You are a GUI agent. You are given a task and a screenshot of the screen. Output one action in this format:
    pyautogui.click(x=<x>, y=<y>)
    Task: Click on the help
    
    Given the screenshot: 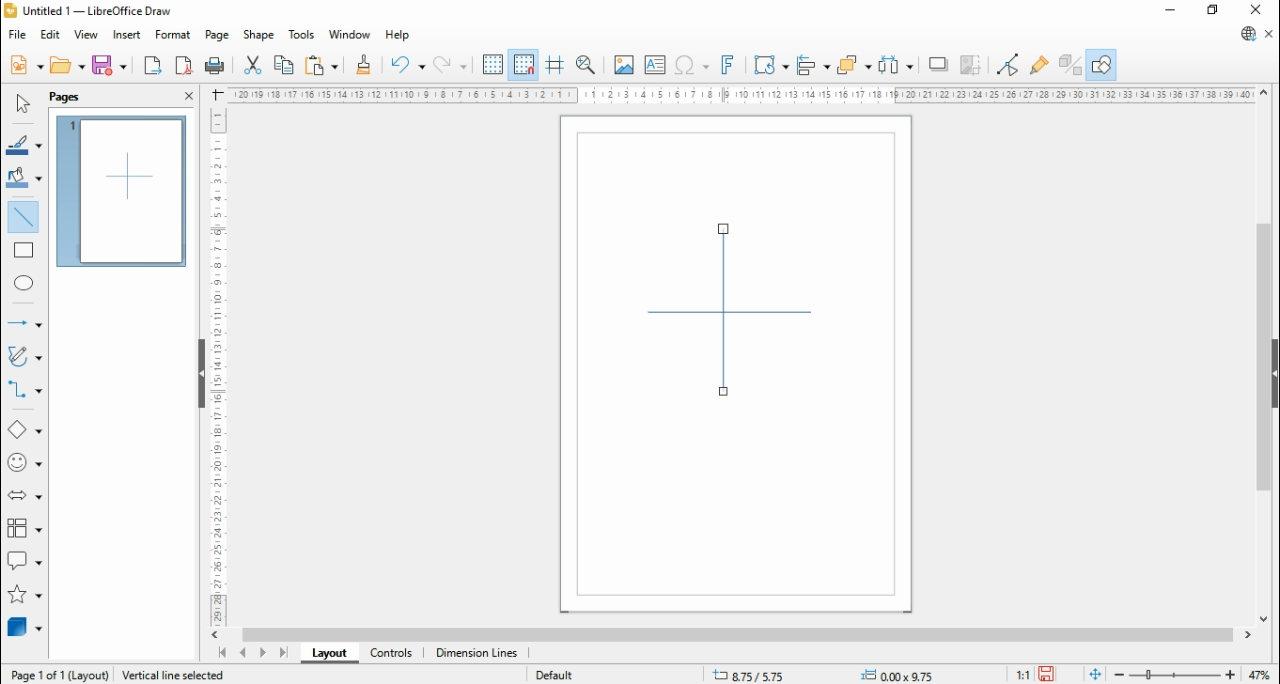 What is the action you would take?
    pyautogui.click(x=398, y=35)
    